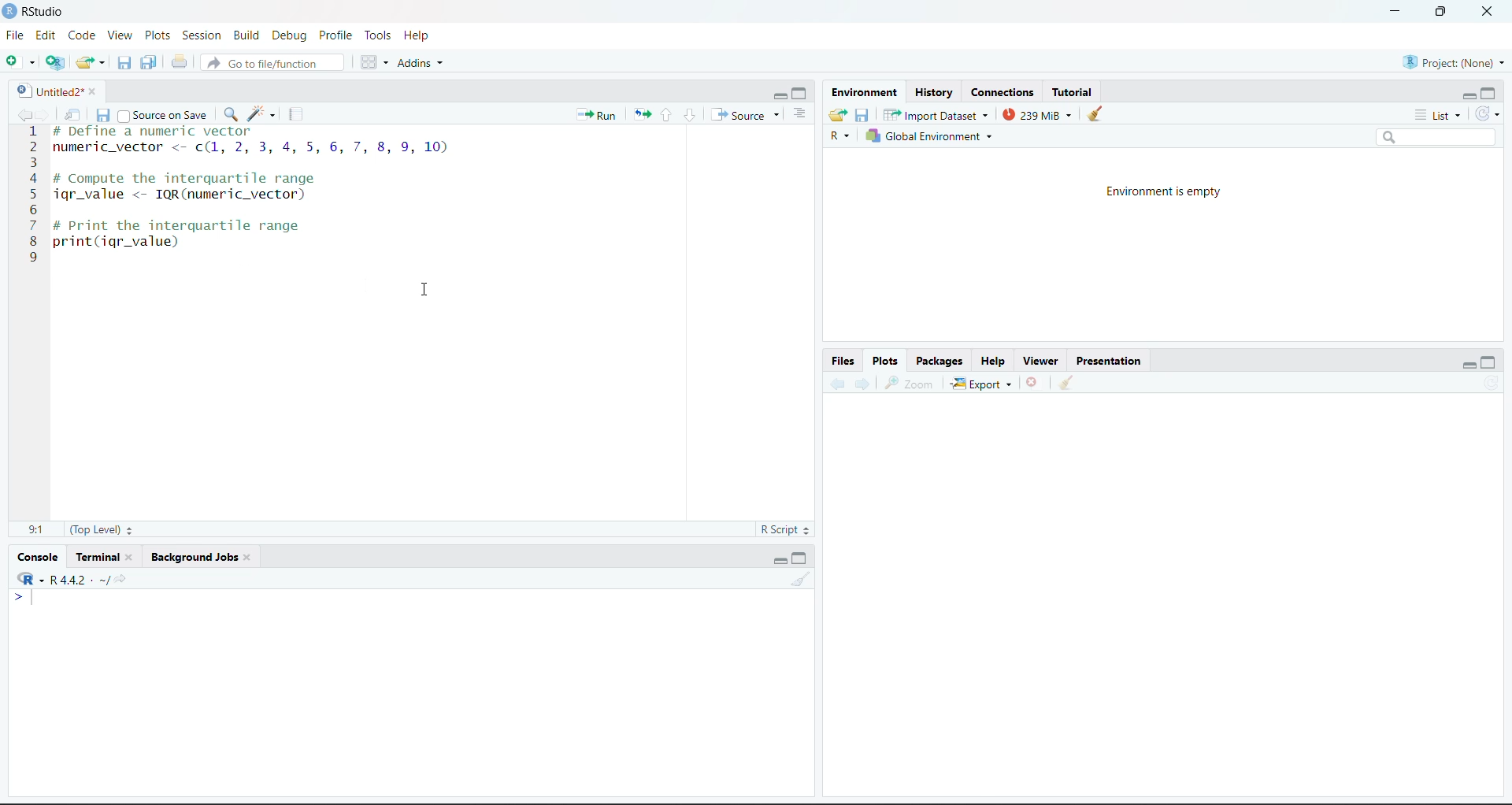 The width and height of the screenshot is (1512, 805). I want to click on History, so click(934, 93).